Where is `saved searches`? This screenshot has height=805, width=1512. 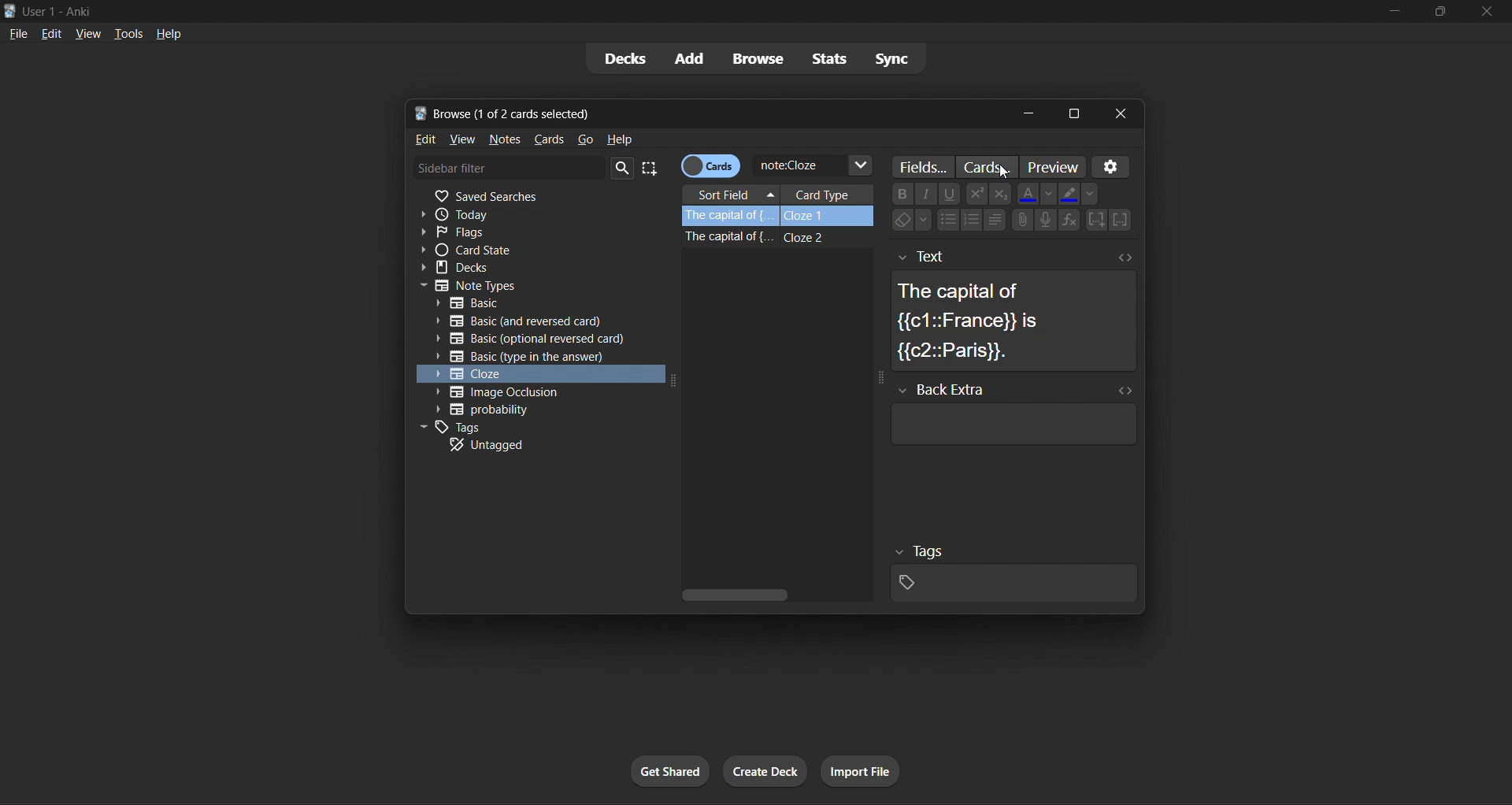
saved searches is located at coordinates (539, 197).